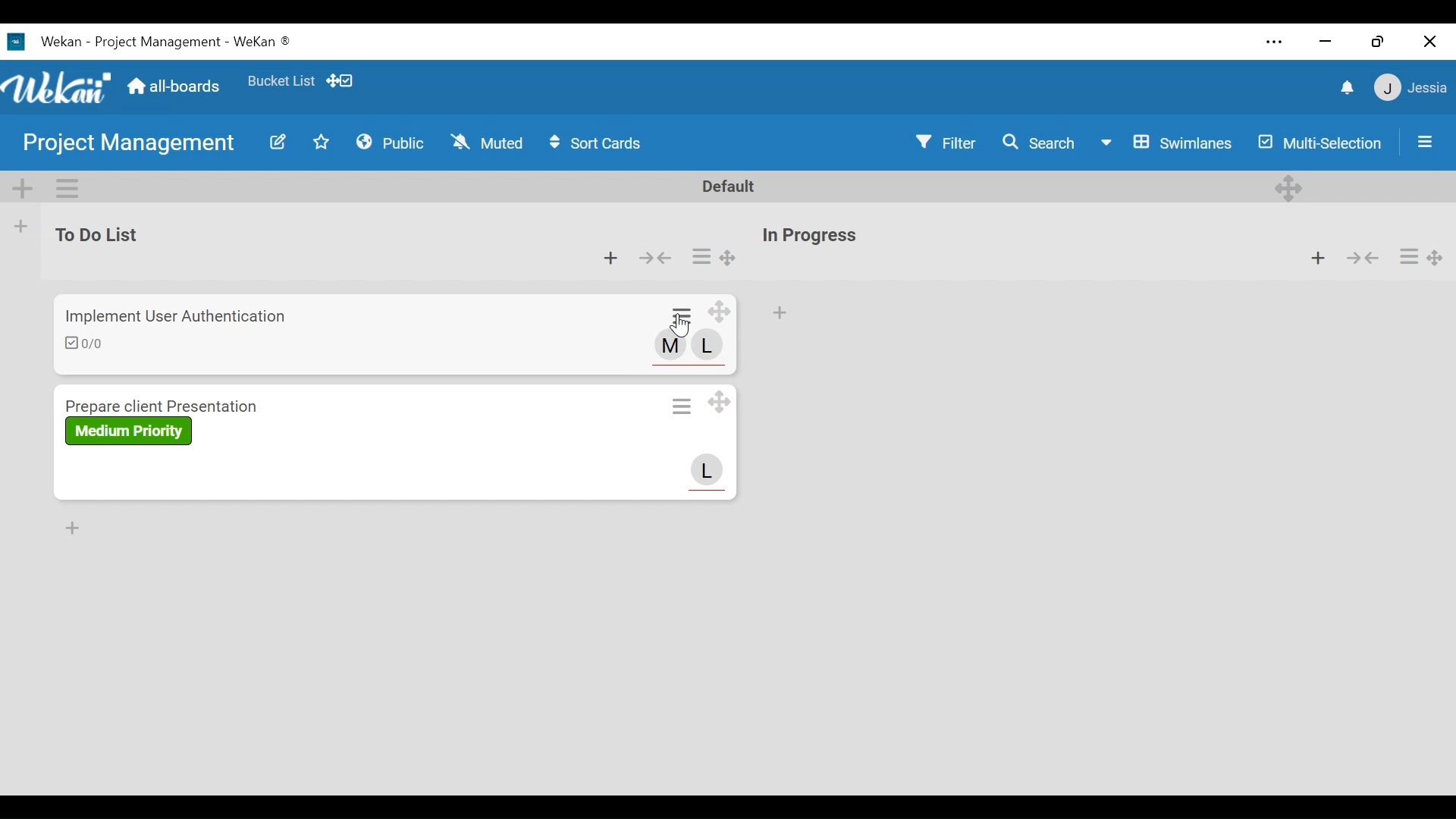 The height and width of the screenshot is (819, 1456). What do you see at coordinates (172, 86) in the screenshot?
I see `Home (all-boards)` at bounding box center [172, 86].